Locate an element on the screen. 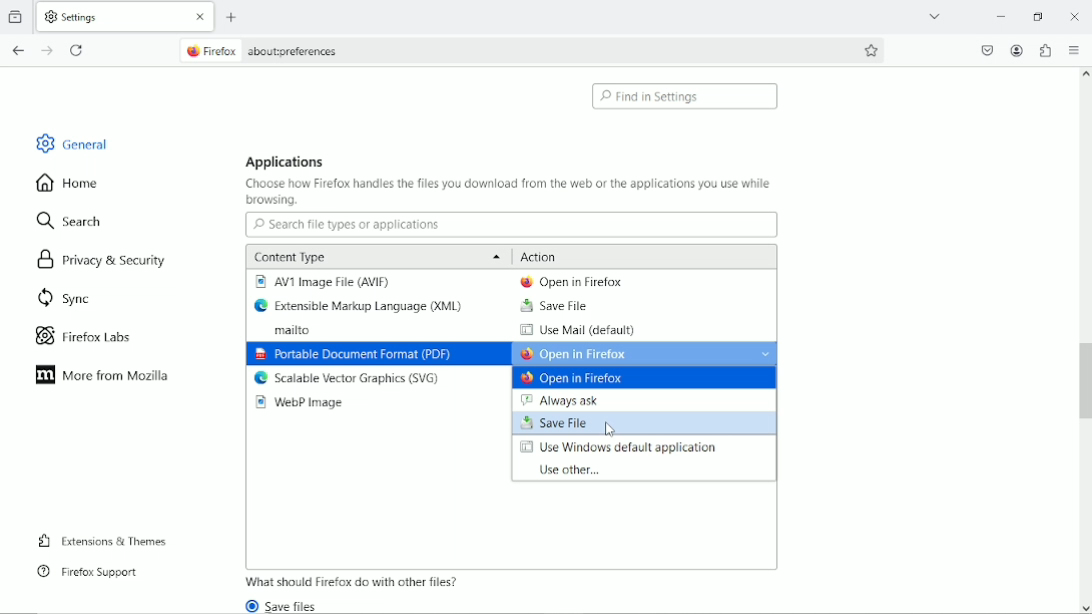 The image size is (1092, 614). Privacy & security is located at coordinates (105, 263).